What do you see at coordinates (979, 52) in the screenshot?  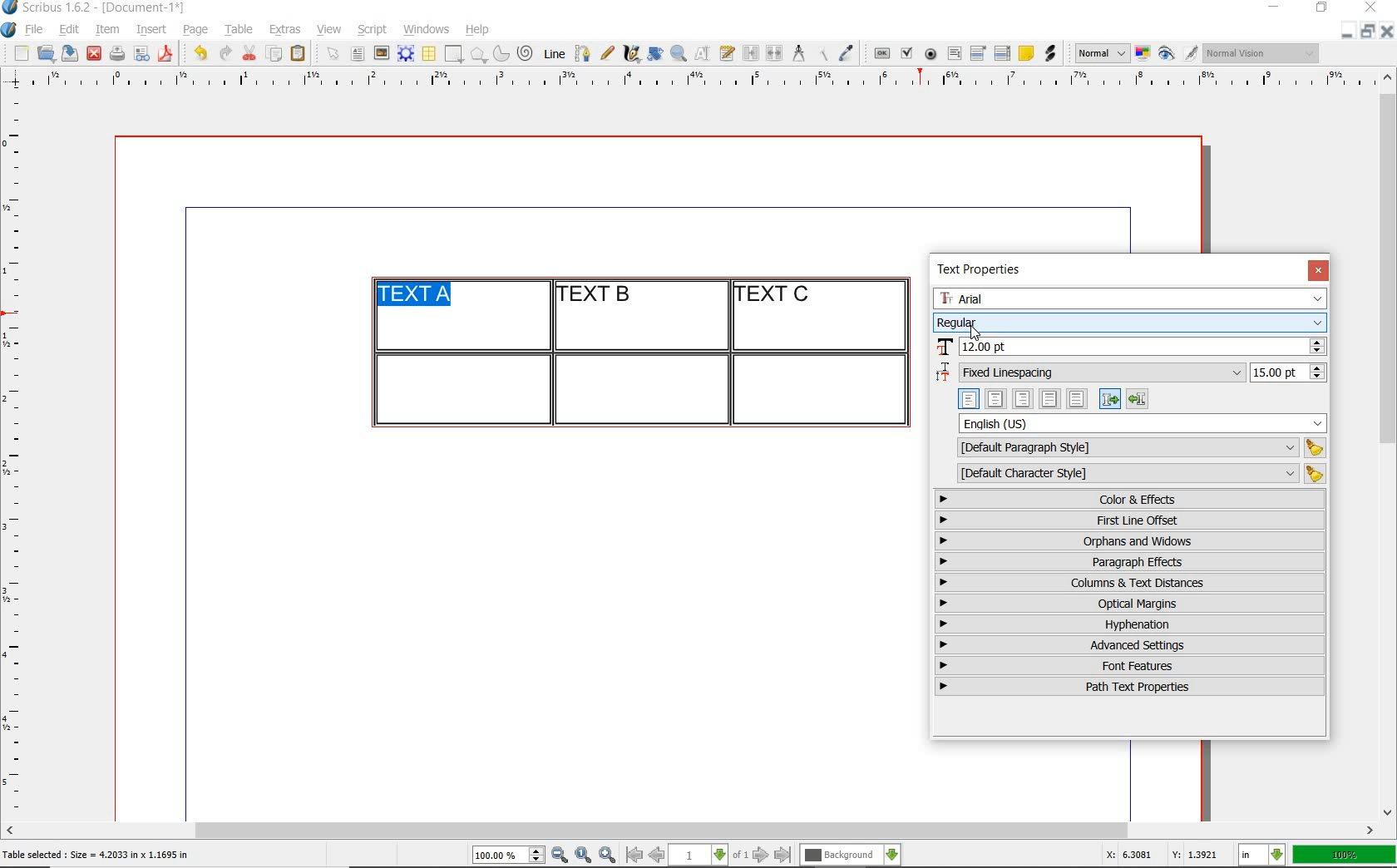 I see `pdf combo box` at bounding box center [979, 52].